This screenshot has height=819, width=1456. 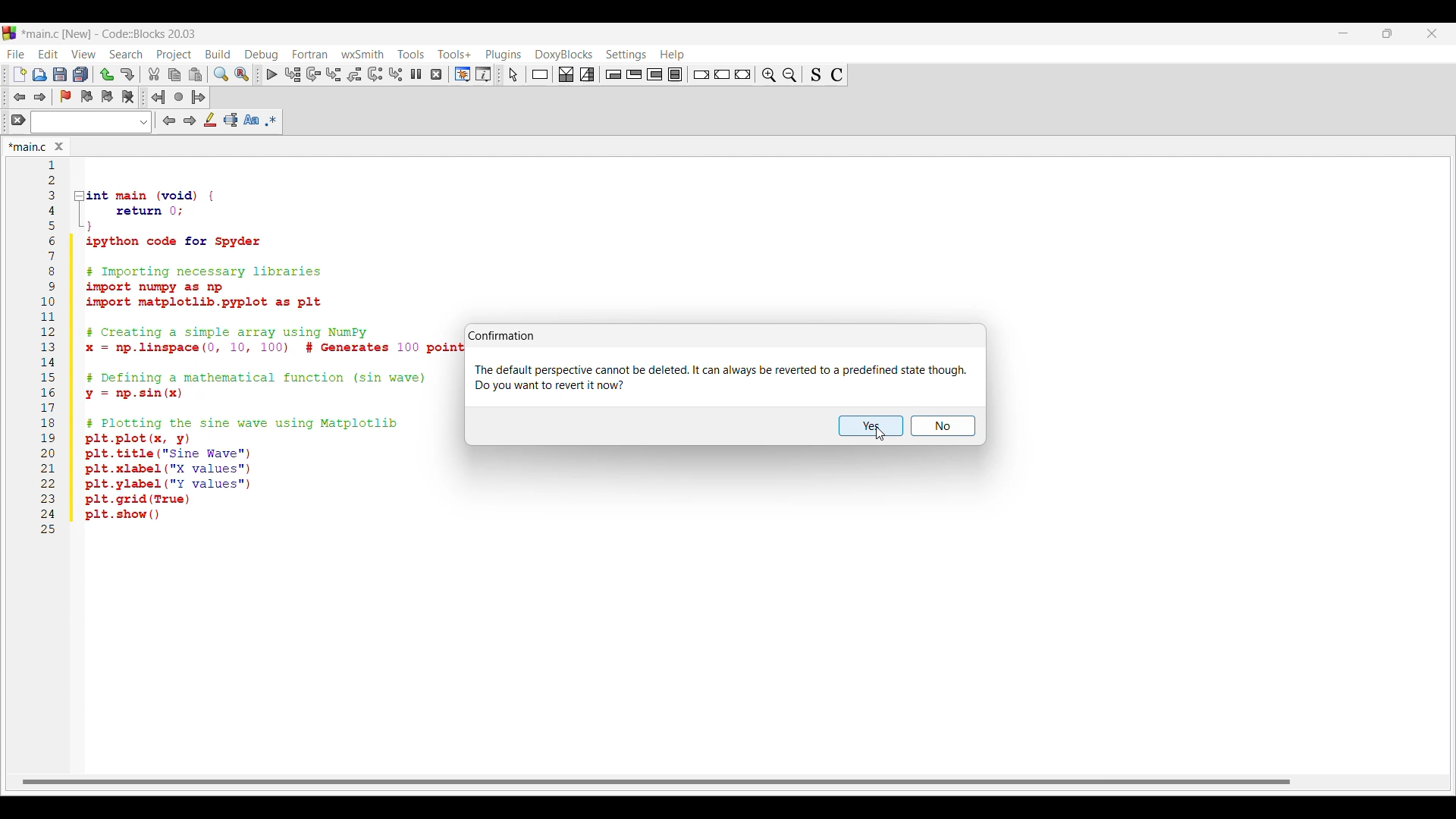 What do you see at coordinates (701, 74) in the screenshot?
I see `Break instruction` at bounding box center [701, 74].